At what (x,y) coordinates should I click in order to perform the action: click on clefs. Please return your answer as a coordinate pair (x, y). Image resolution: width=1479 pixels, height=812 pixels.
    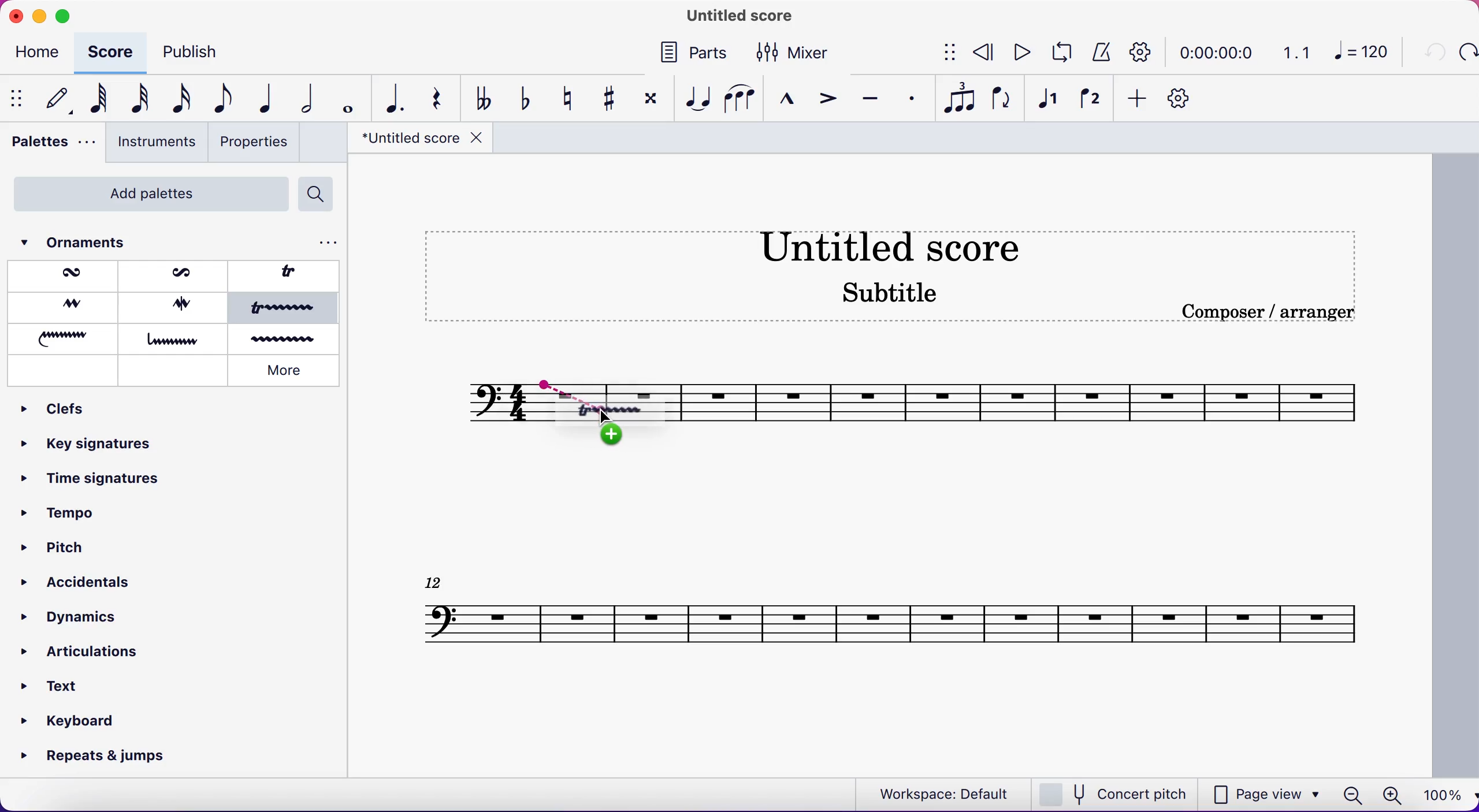
    Looking at the image, I should click on (66, 410).